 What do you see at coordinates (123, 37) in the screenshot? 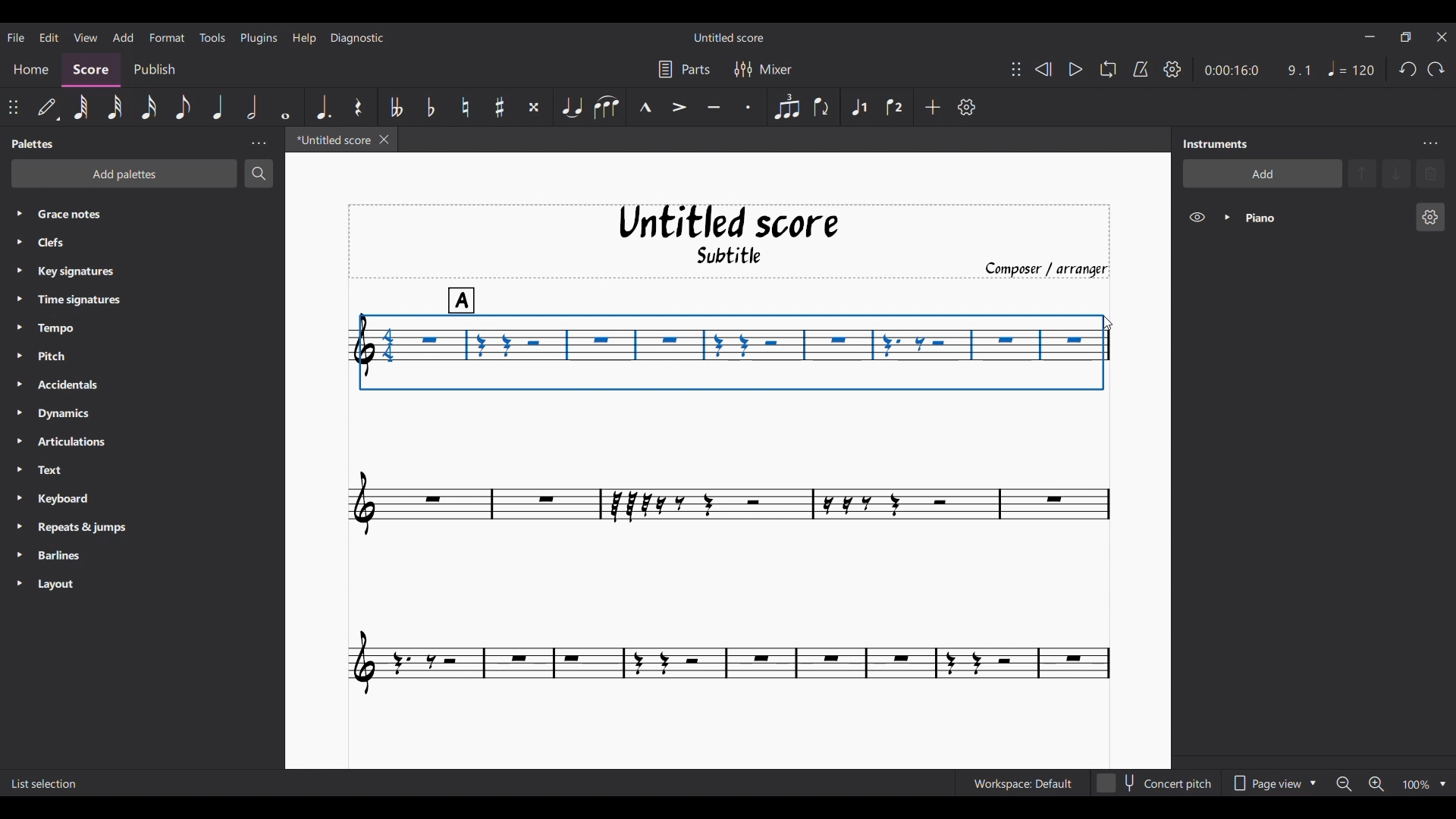
I see `Add menu` at bounding box center [123, 37].